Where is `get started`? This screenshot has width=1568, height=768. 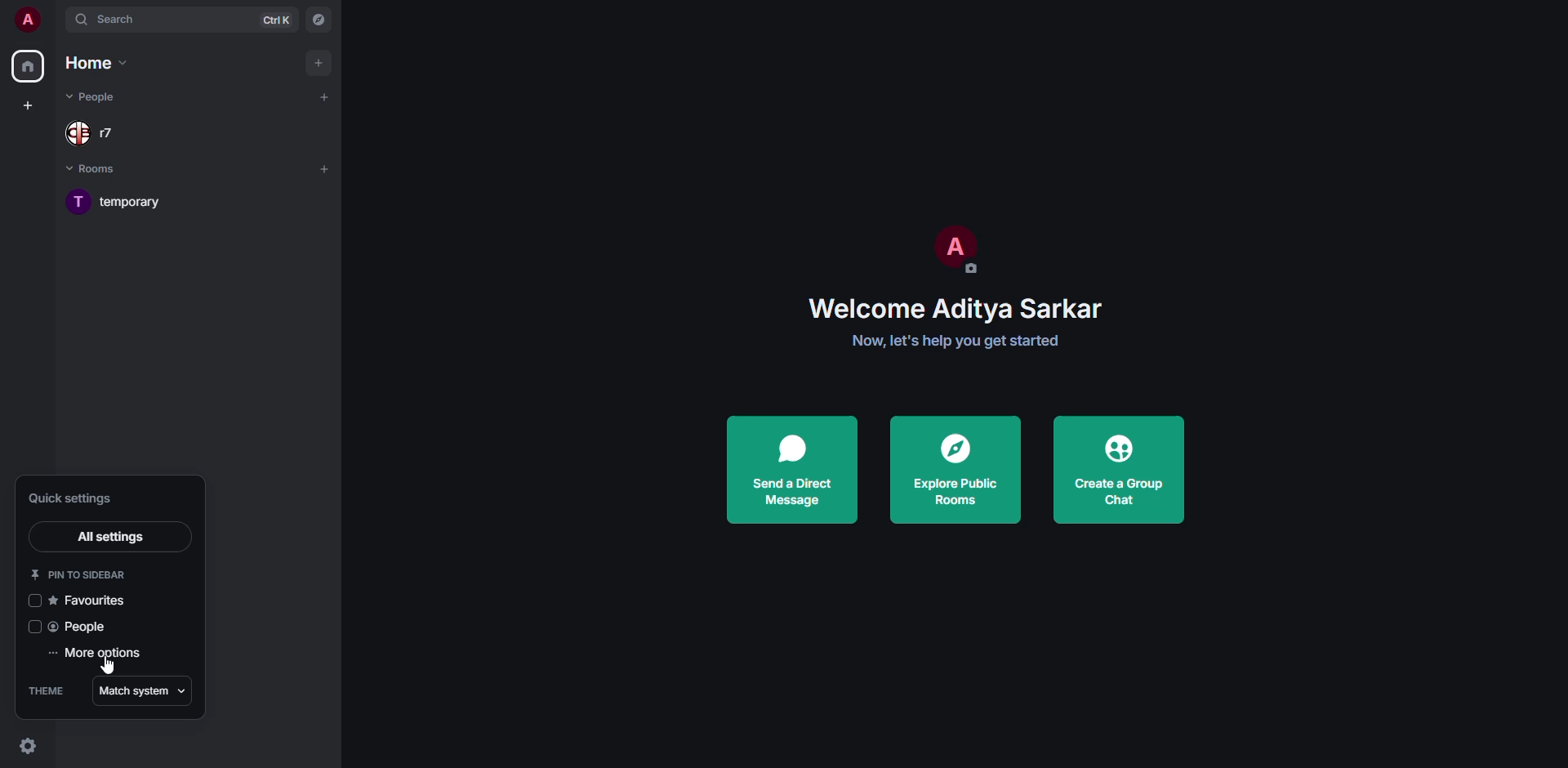
get started is located at coordinates (963, 342).